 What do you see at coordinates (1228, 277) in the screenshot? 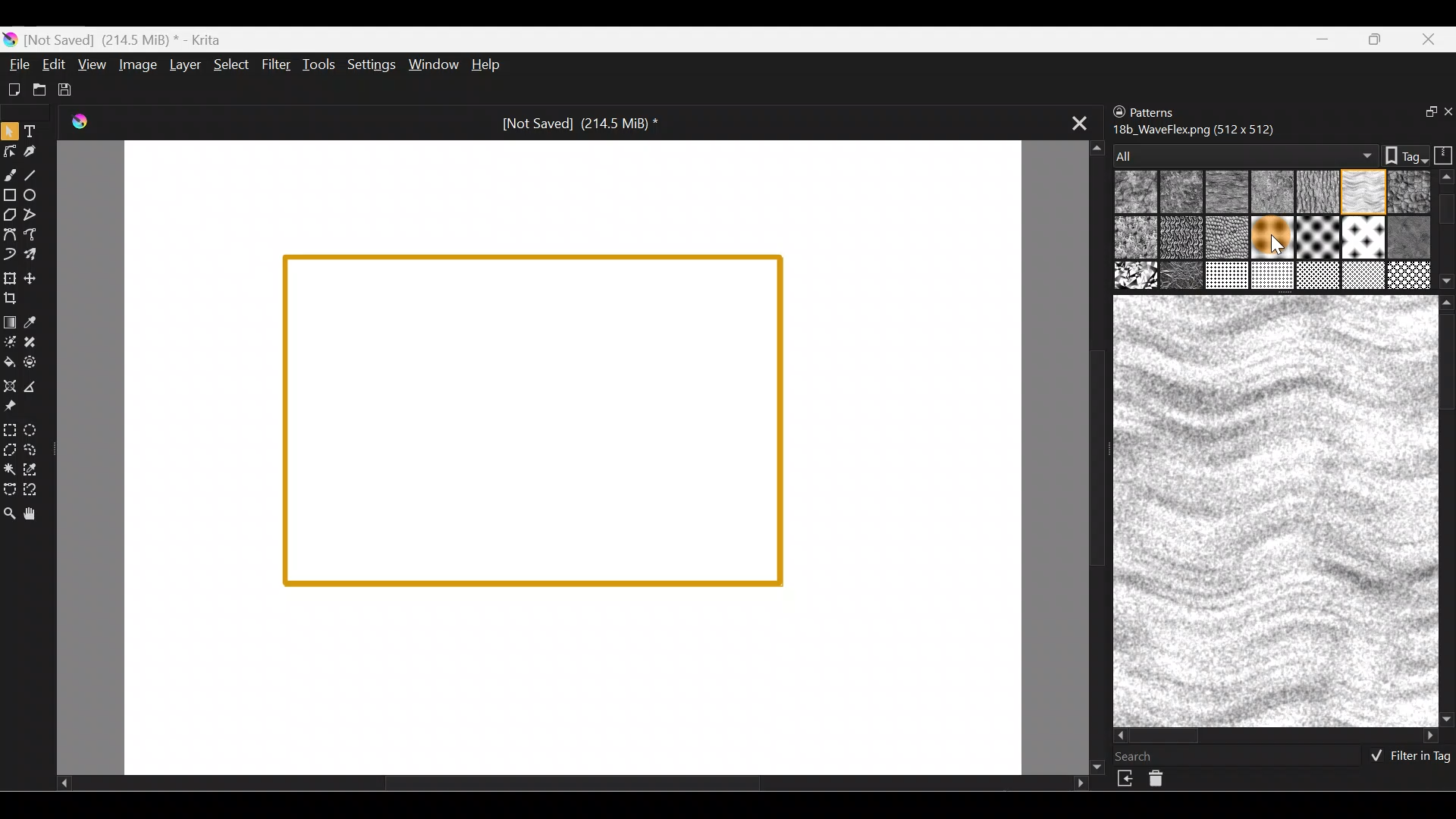
I see `16 Texture_woody.png` at bounding box center [1228, 277].